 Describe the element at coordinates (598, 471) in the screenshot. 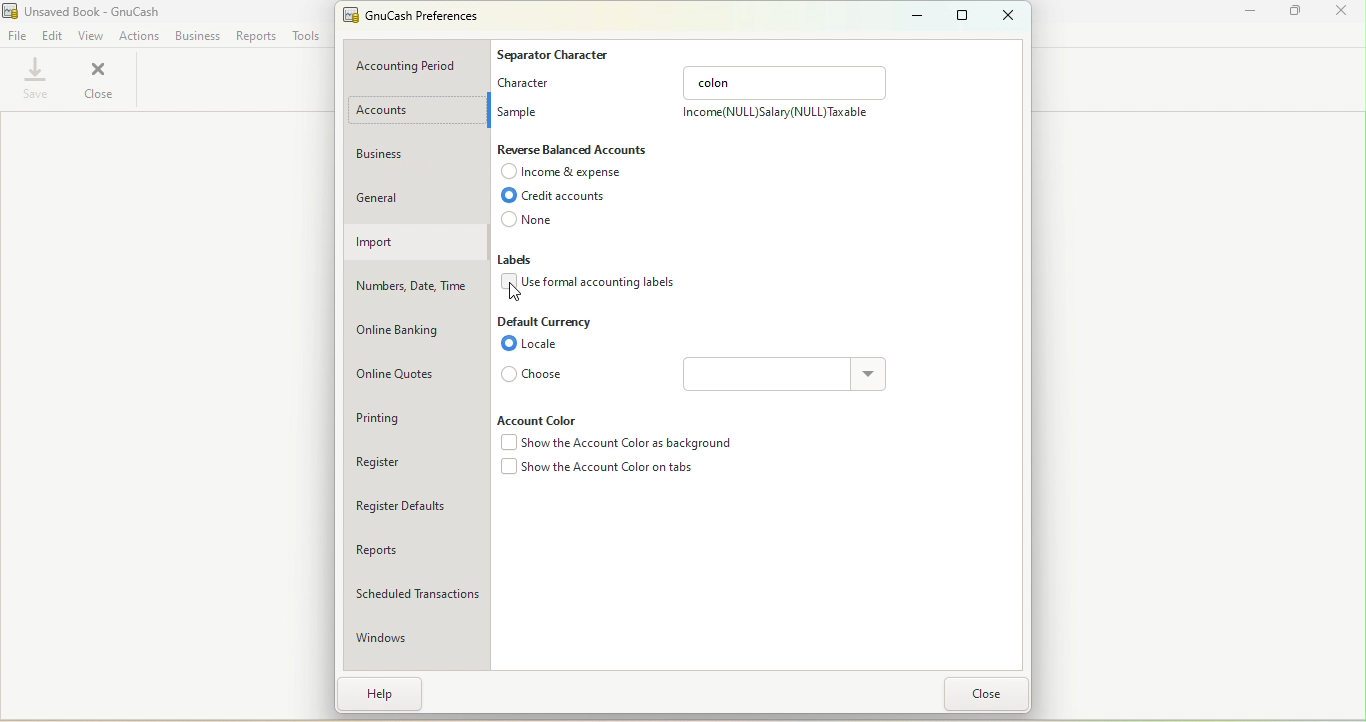

I see `Show the account color on tabs` at that location.